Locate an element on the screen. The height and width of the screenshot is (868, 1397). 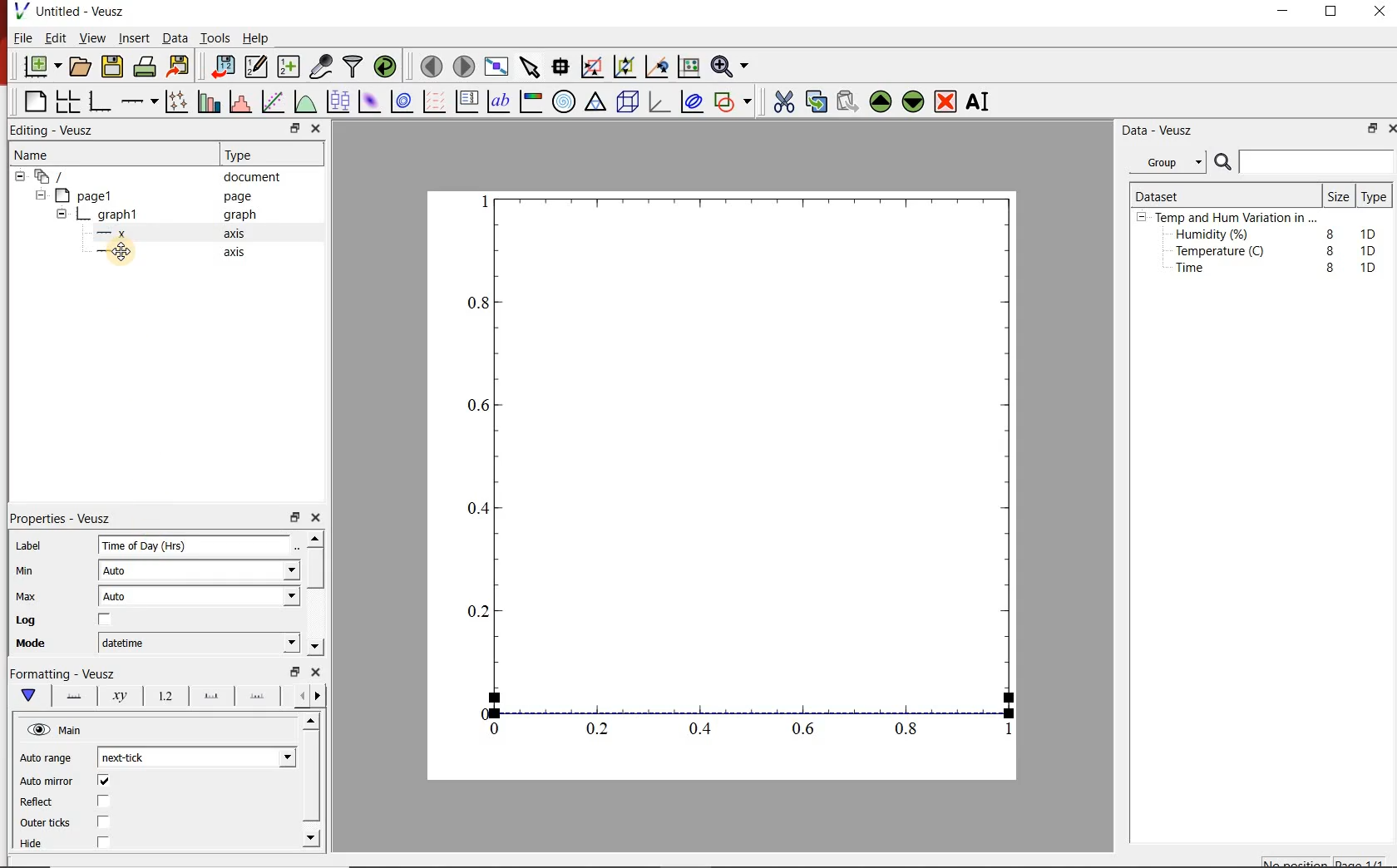
Data is located at coordinates (171, 38).